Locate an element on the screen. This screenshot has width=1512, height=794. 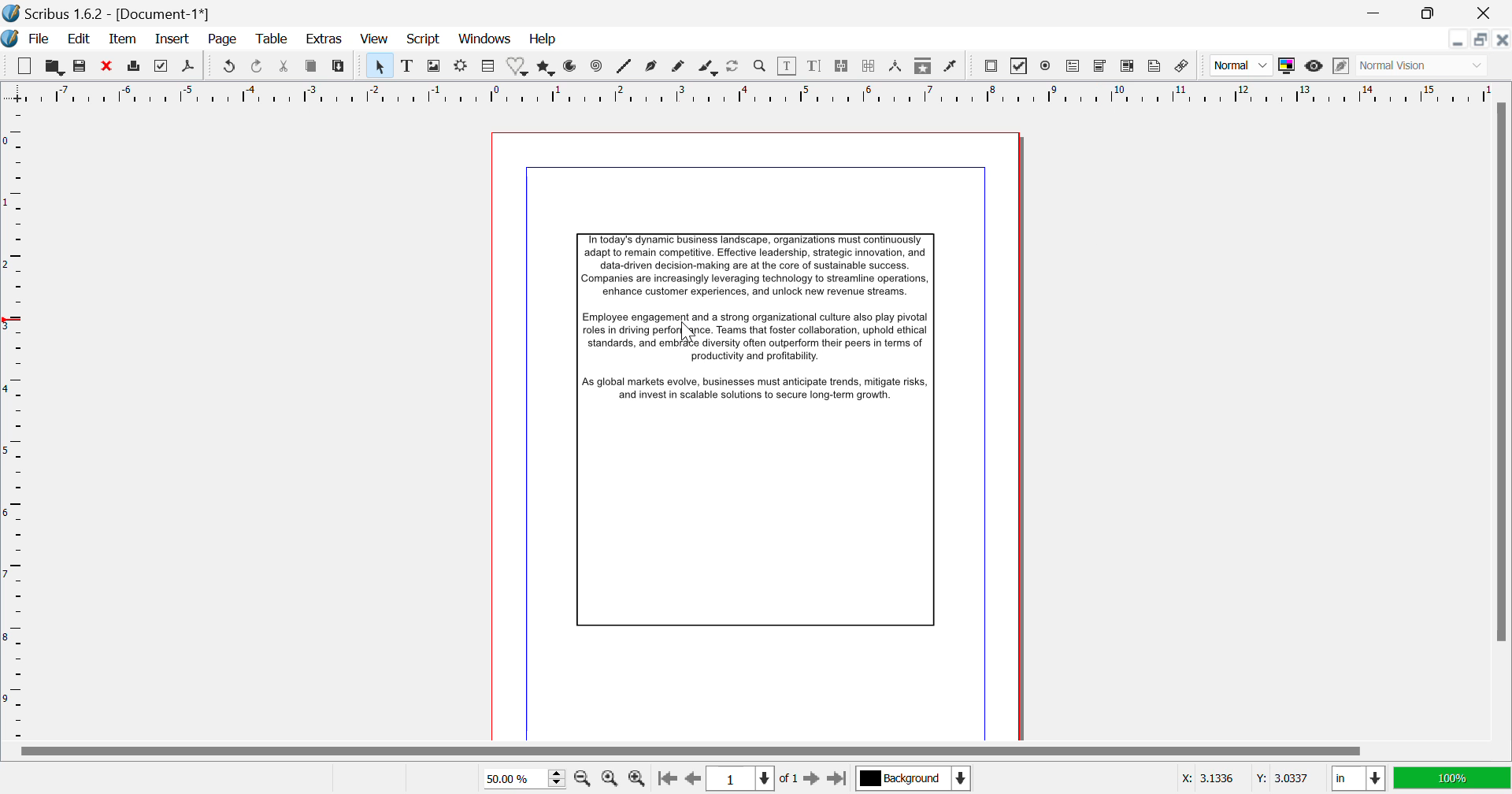
Insert is located at coordinates (174, 39).